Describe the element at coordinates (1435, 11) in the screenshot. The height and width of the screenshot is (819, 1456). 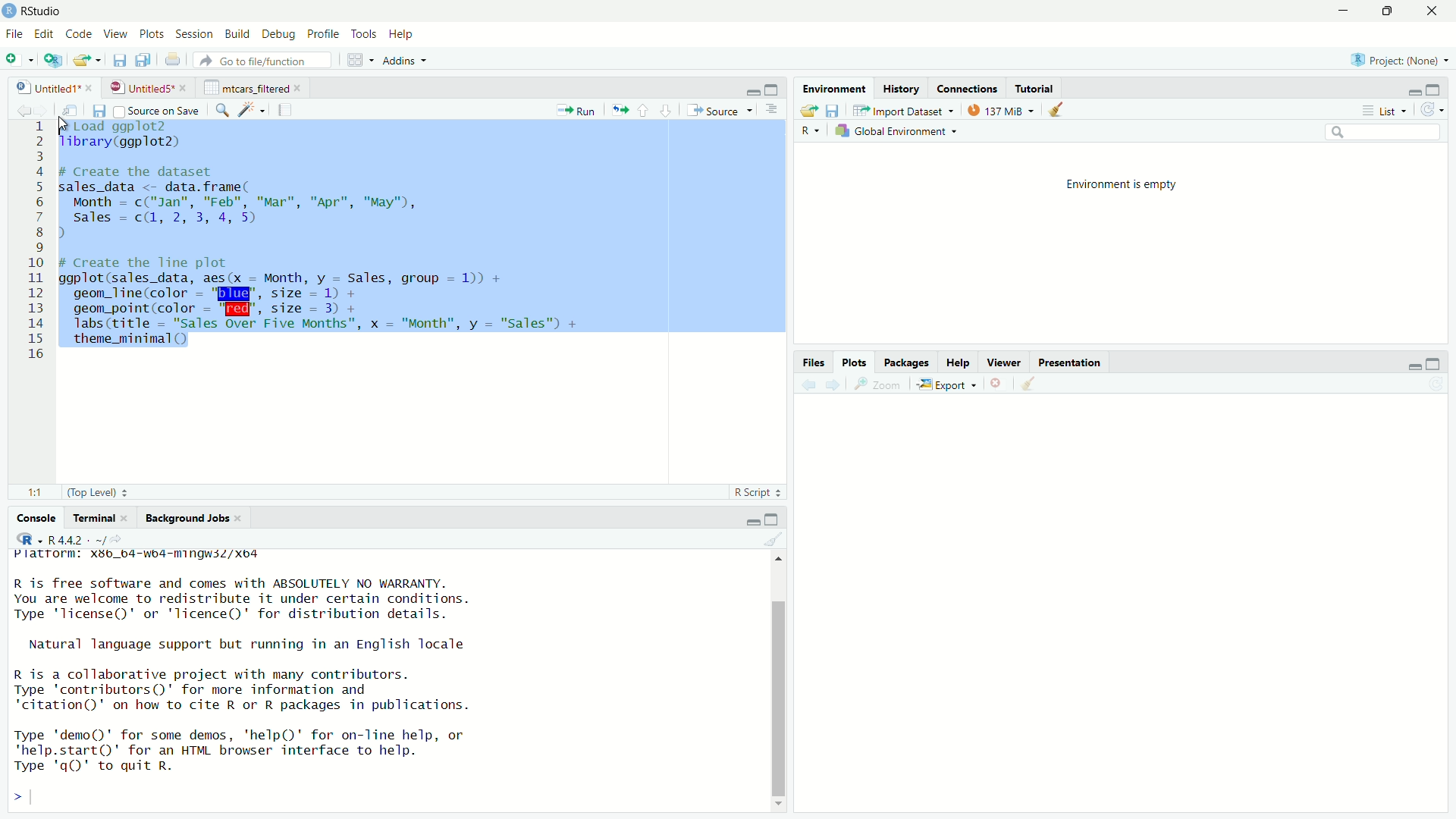
I see `close` at that location.